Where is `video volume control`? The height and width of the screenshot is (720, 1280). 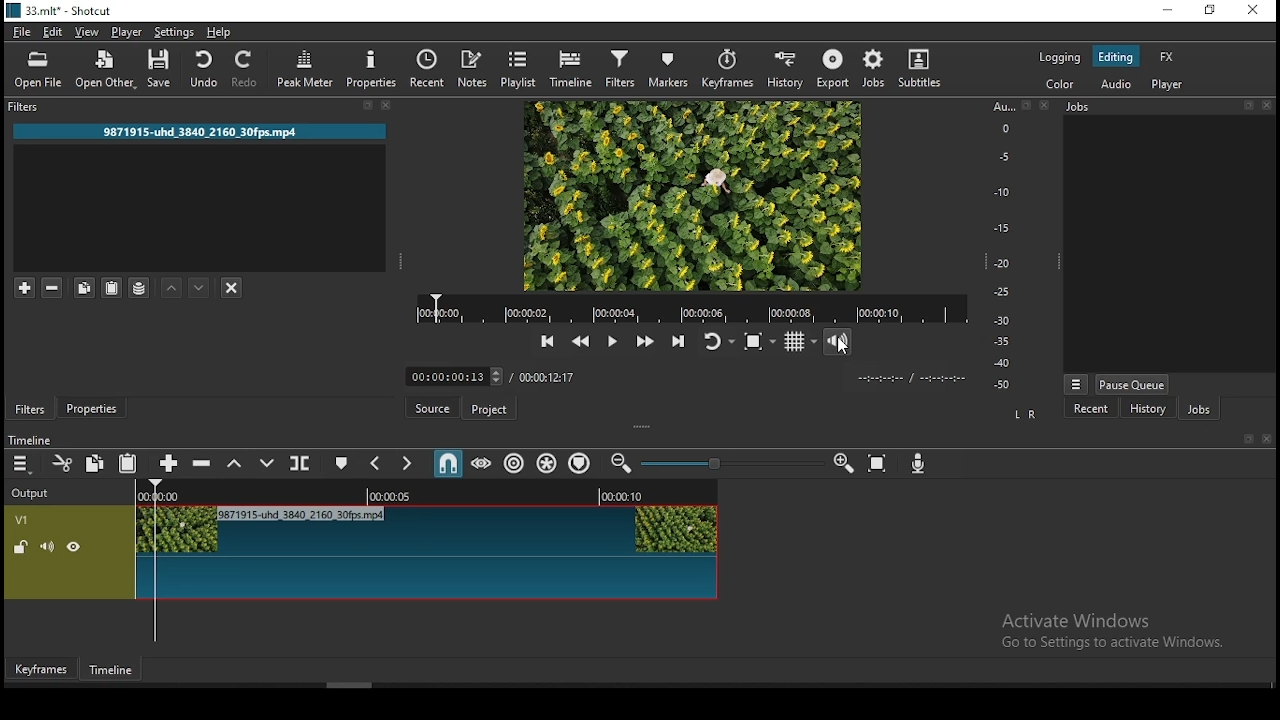
video volume control is located at coordinates (838, 342).